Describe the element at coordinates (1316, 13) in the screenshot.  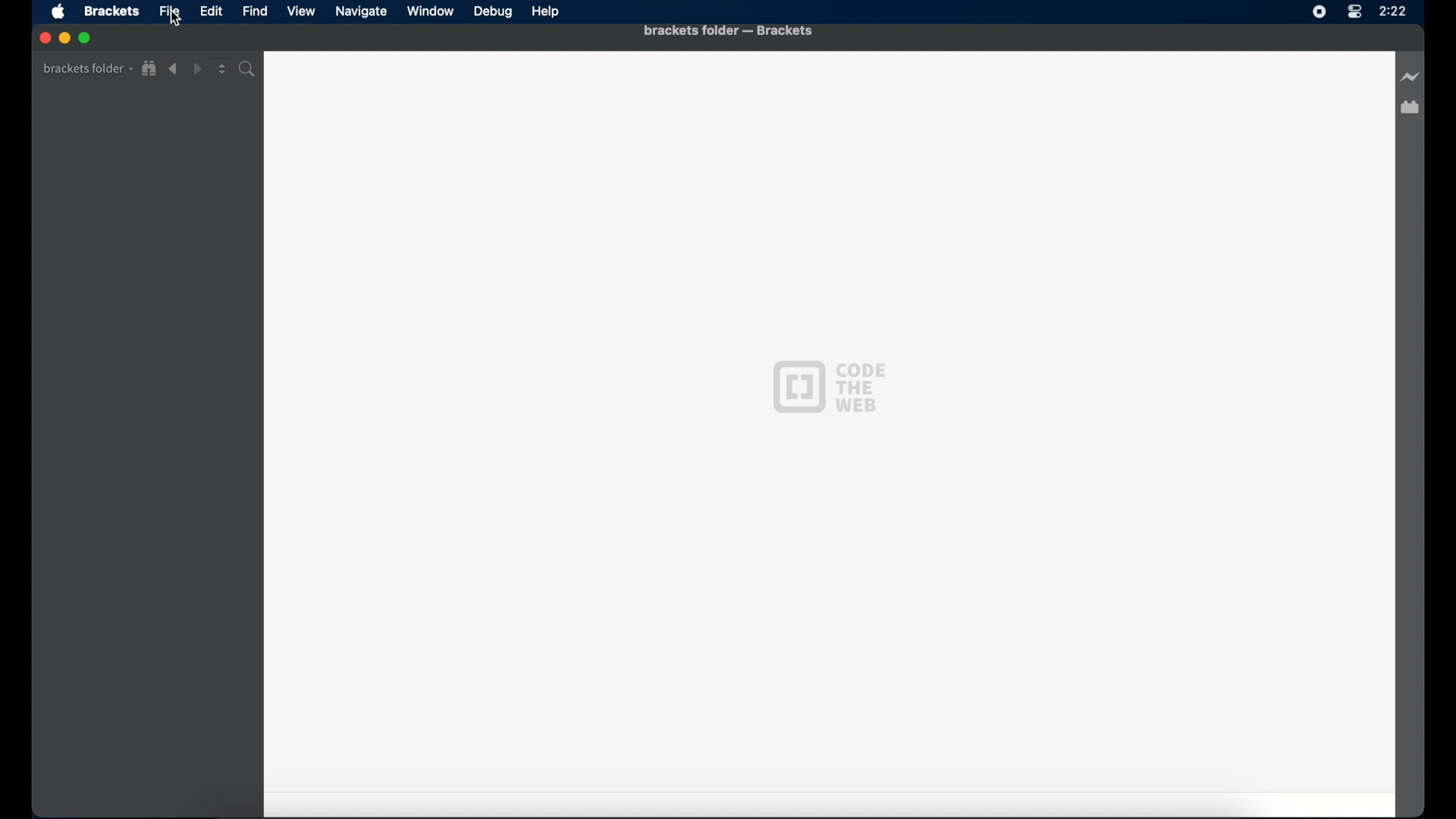
I see `screen recorder  icon` at that location.